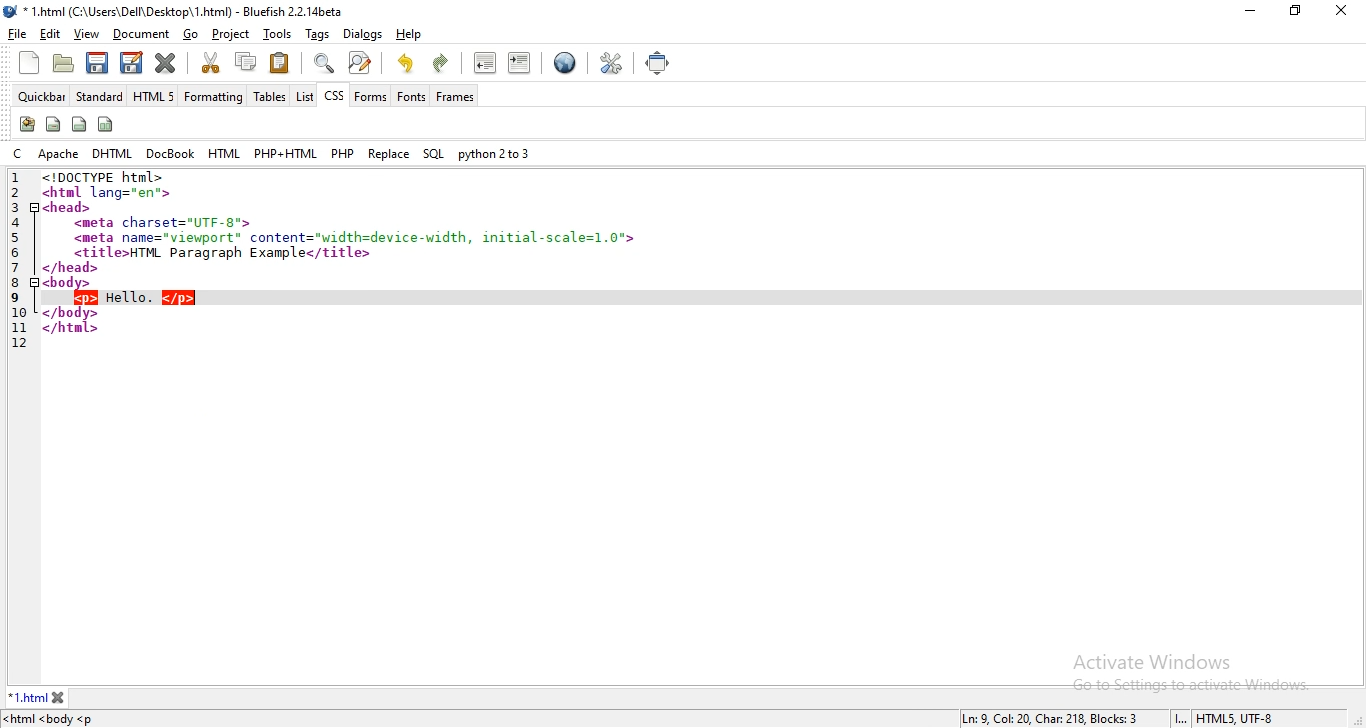 This screenshot has height=728, width=1366. Describe the element at coordinates (51, 33) in the screenshot. I see `edit` at that location.